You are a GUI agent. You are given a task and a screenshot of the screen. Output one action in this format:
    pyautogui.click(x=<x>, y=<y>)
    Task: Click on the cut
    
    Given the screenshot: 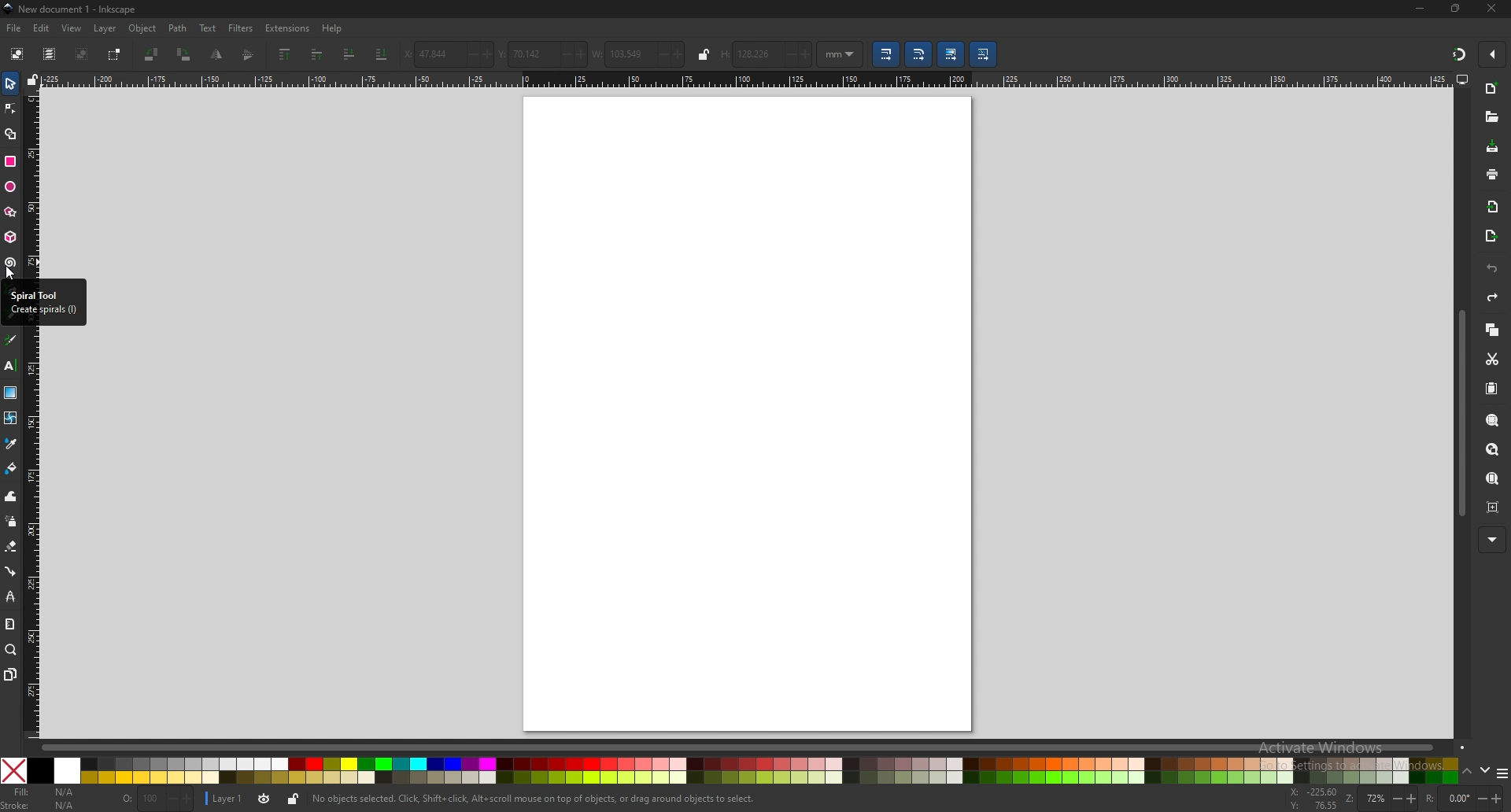 What is the action you would take?
    pyautogui.click(x=1493, y=360)
    